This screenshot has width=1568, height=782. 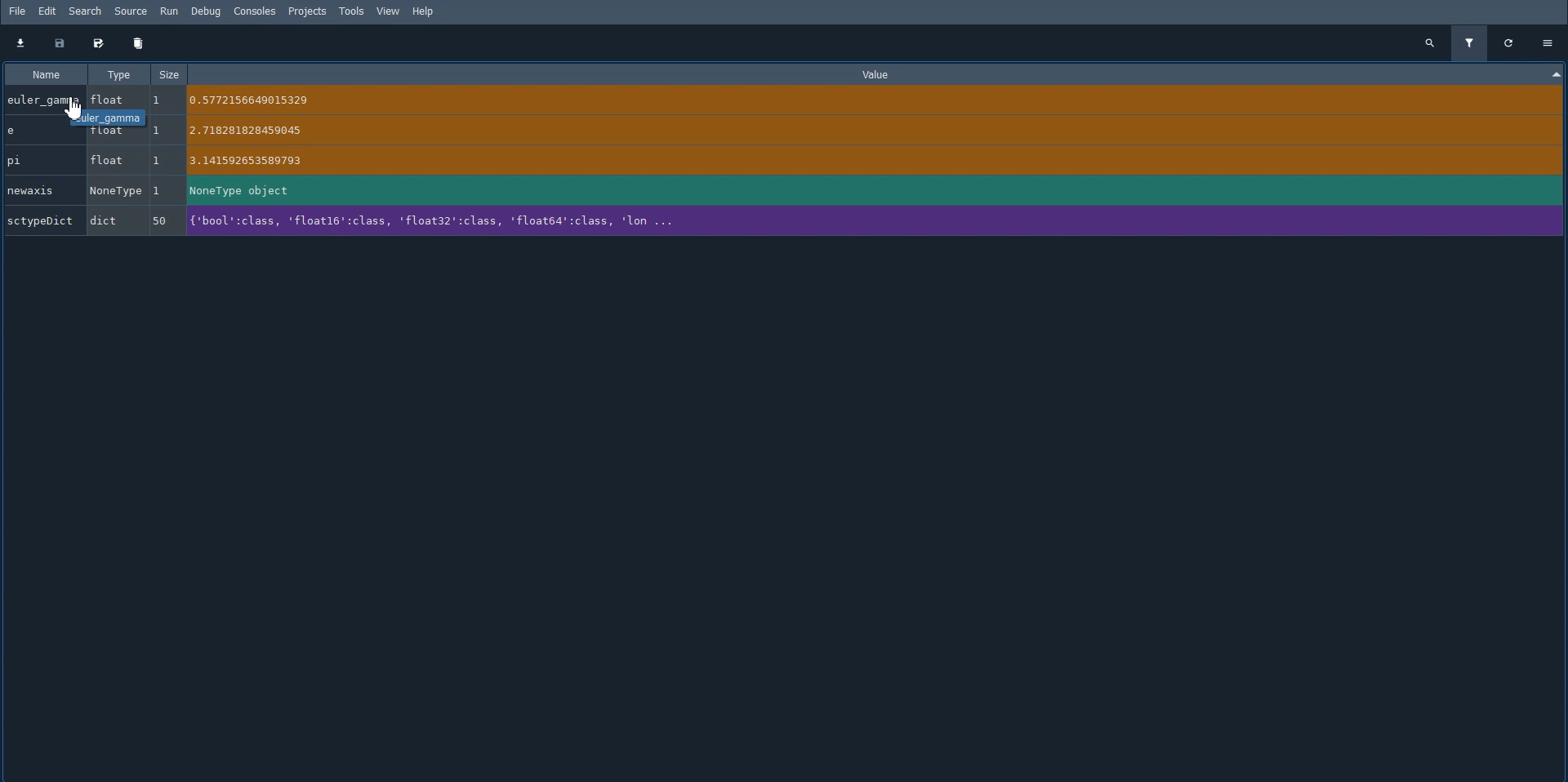 I want to click on Source, so click(x=129, y=10).